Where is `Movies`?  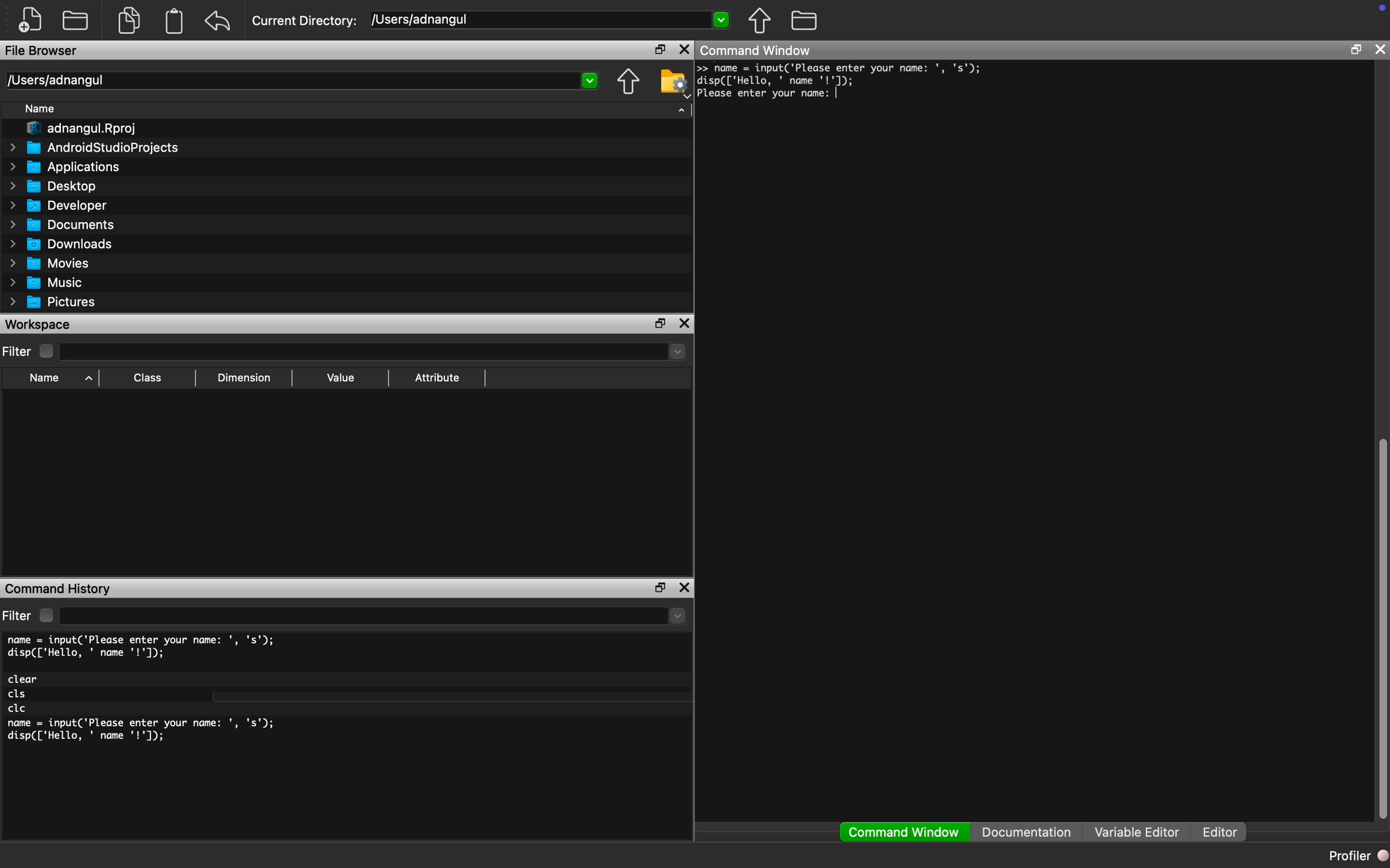 Movies is located at coordinates (47, 263).